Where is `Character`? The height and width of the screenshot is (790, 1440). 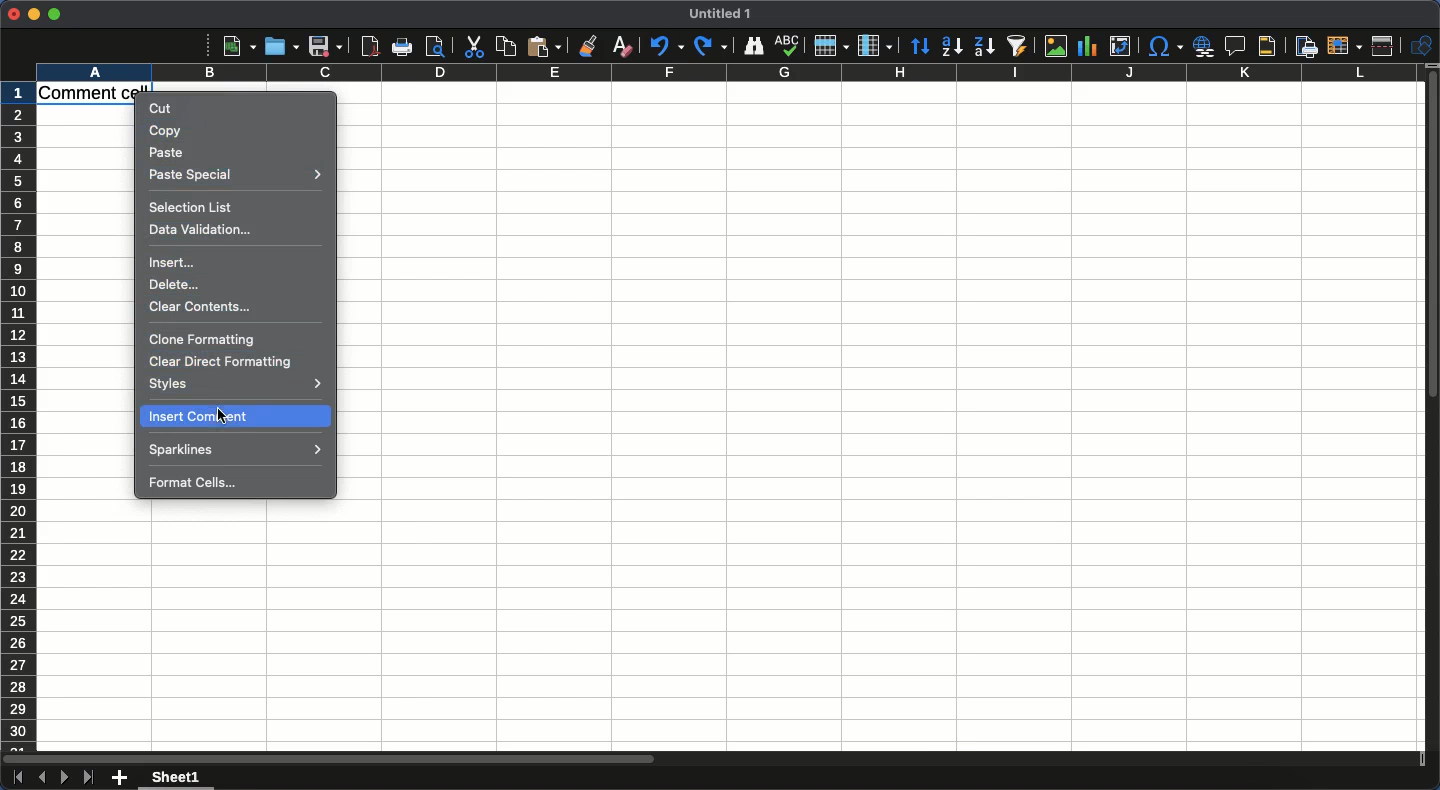
Character is located at coordinates (1165, 48).